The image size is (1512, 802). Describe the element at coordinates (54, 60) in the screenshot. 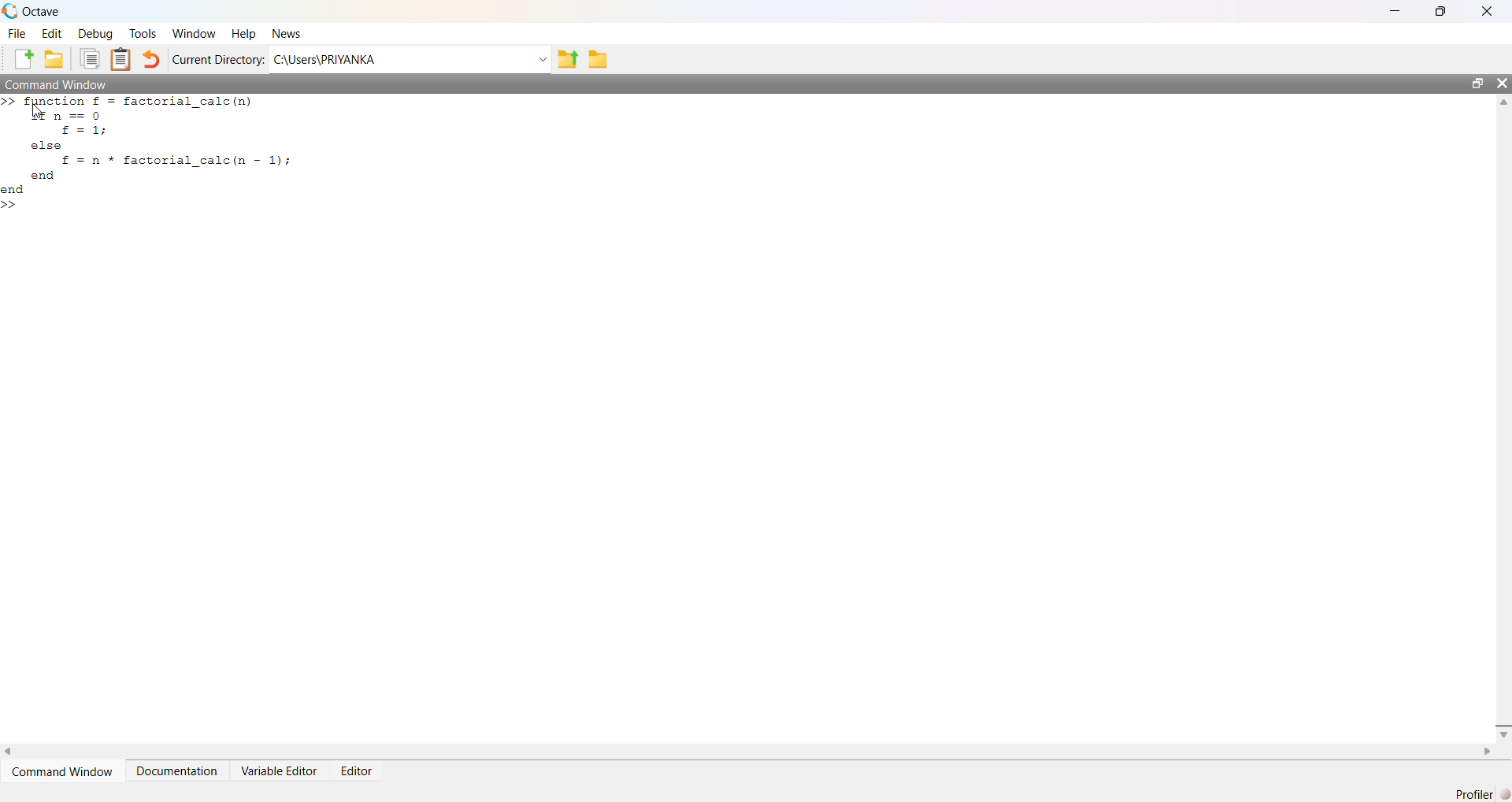

I see `add folder` at that location.